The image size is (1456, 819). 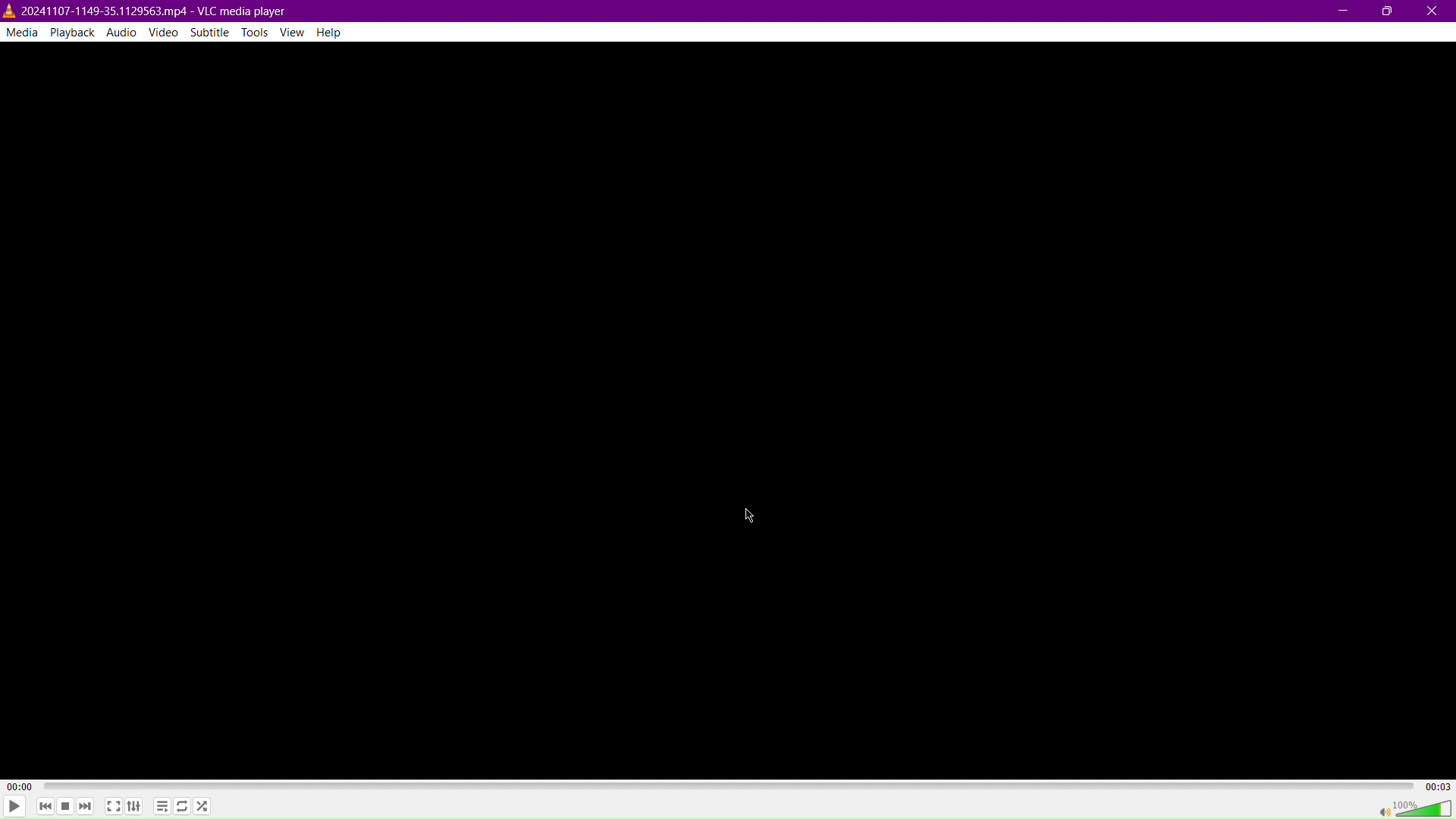 I want to click on 2024107-1149-35.1129563.mp4 - VLC media player, so click(x=146, y=9).